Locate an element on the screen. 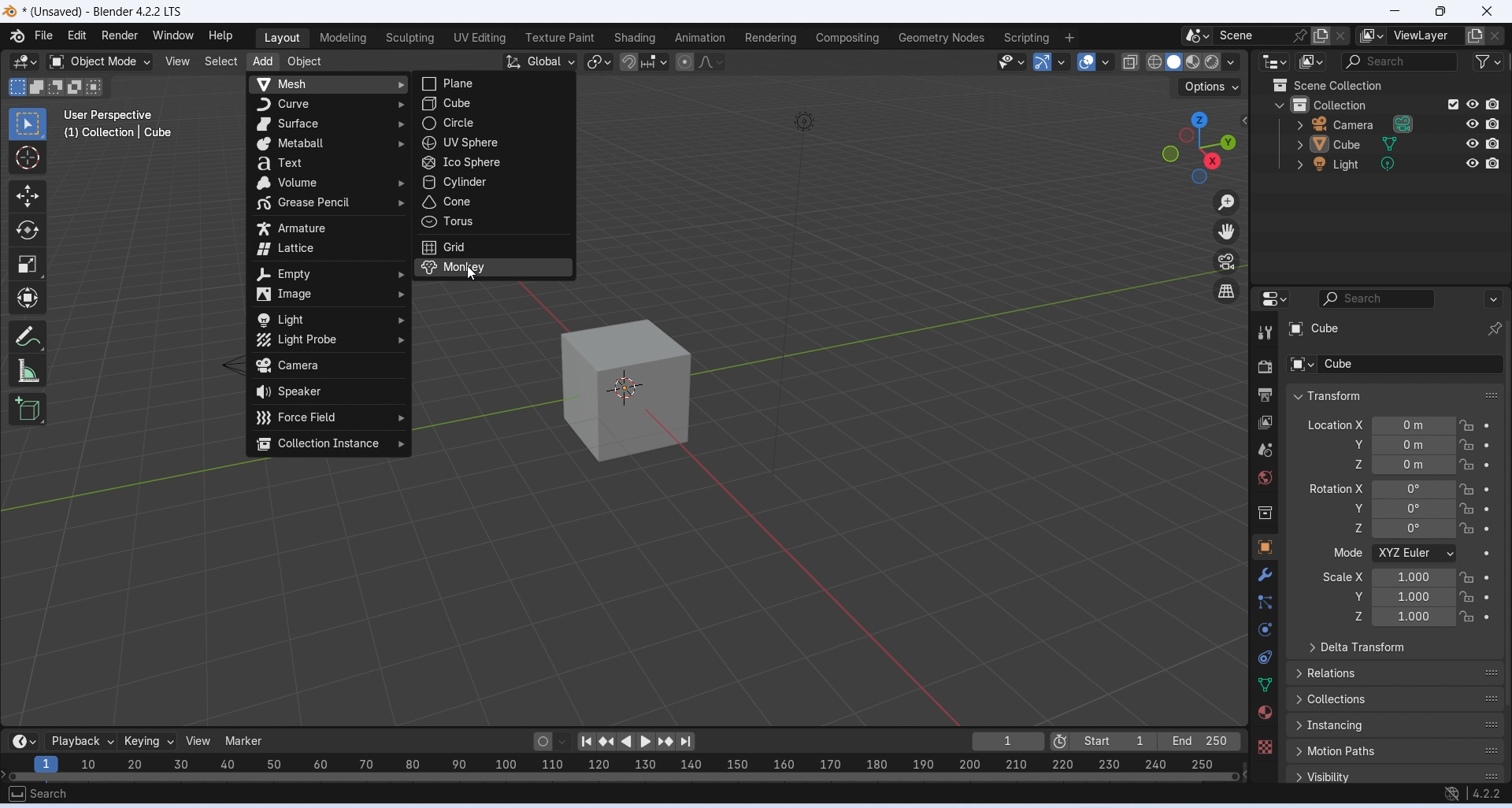 This screenshot has width=1512, height=808. particles is located at coordinates (1267, 602).